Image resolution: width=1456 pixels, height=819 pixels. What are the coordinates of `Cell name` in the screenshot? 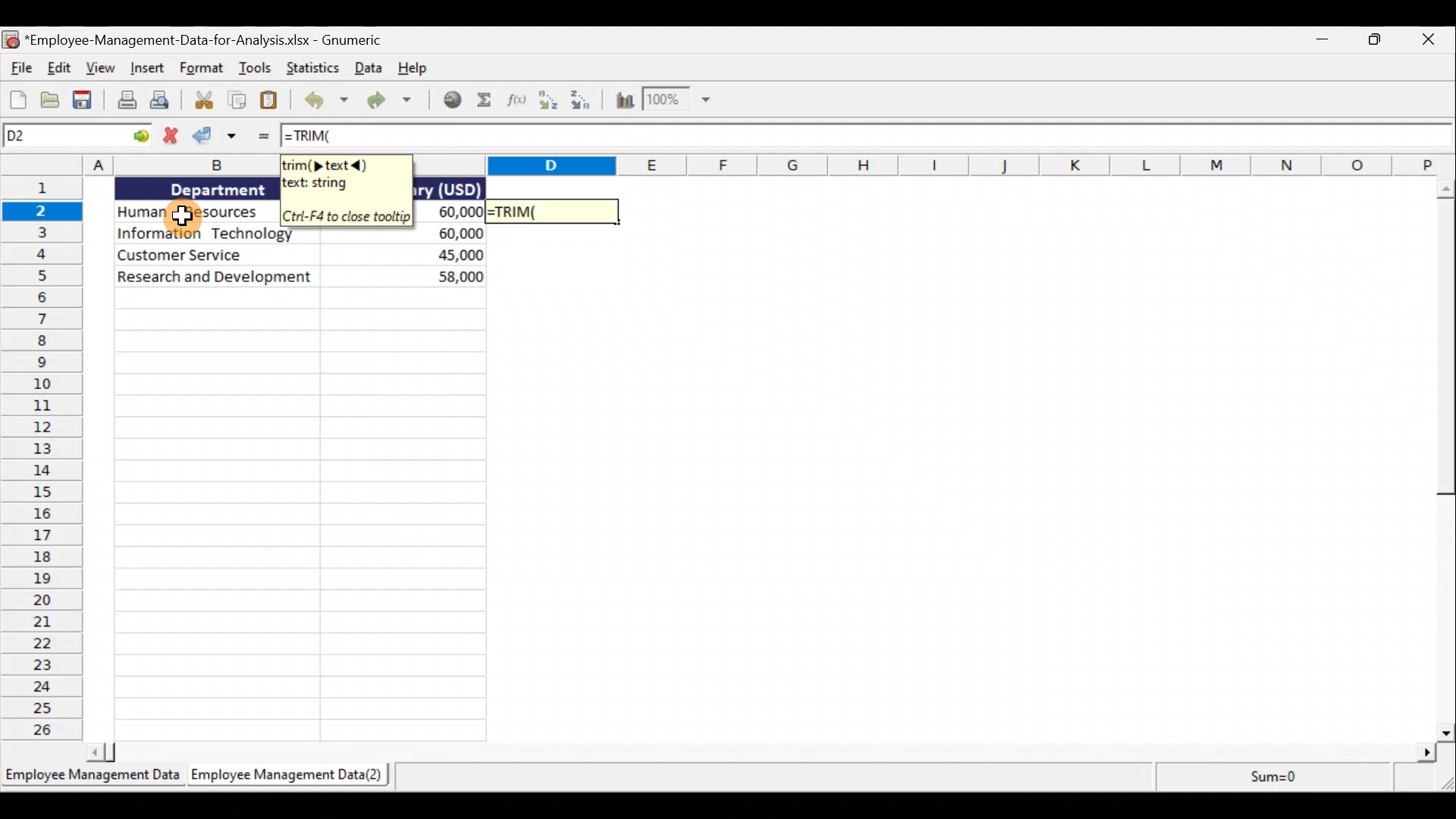 It's located at (78, 136).